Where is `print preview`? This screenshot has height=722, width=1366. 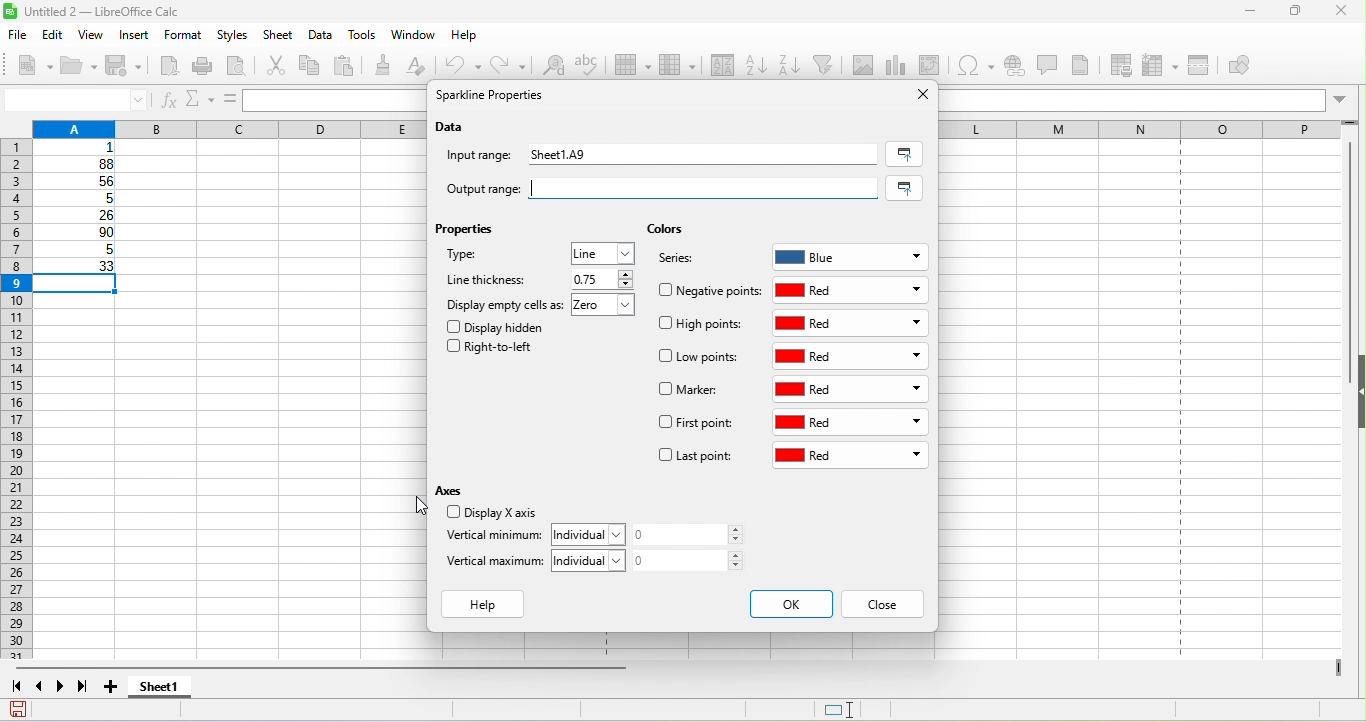
print preview is located at coordinates (243, 67).